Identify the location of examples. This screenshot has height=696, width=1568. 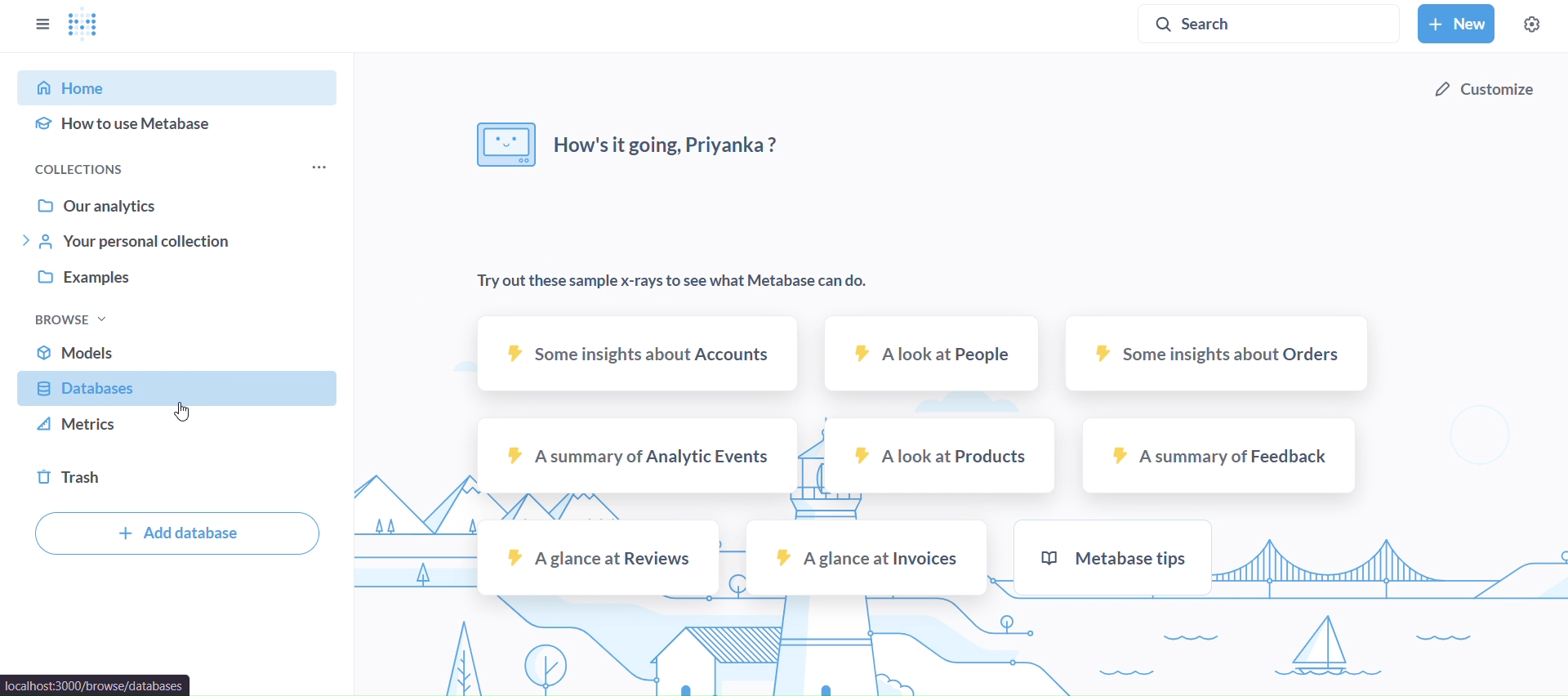
(180, 284).